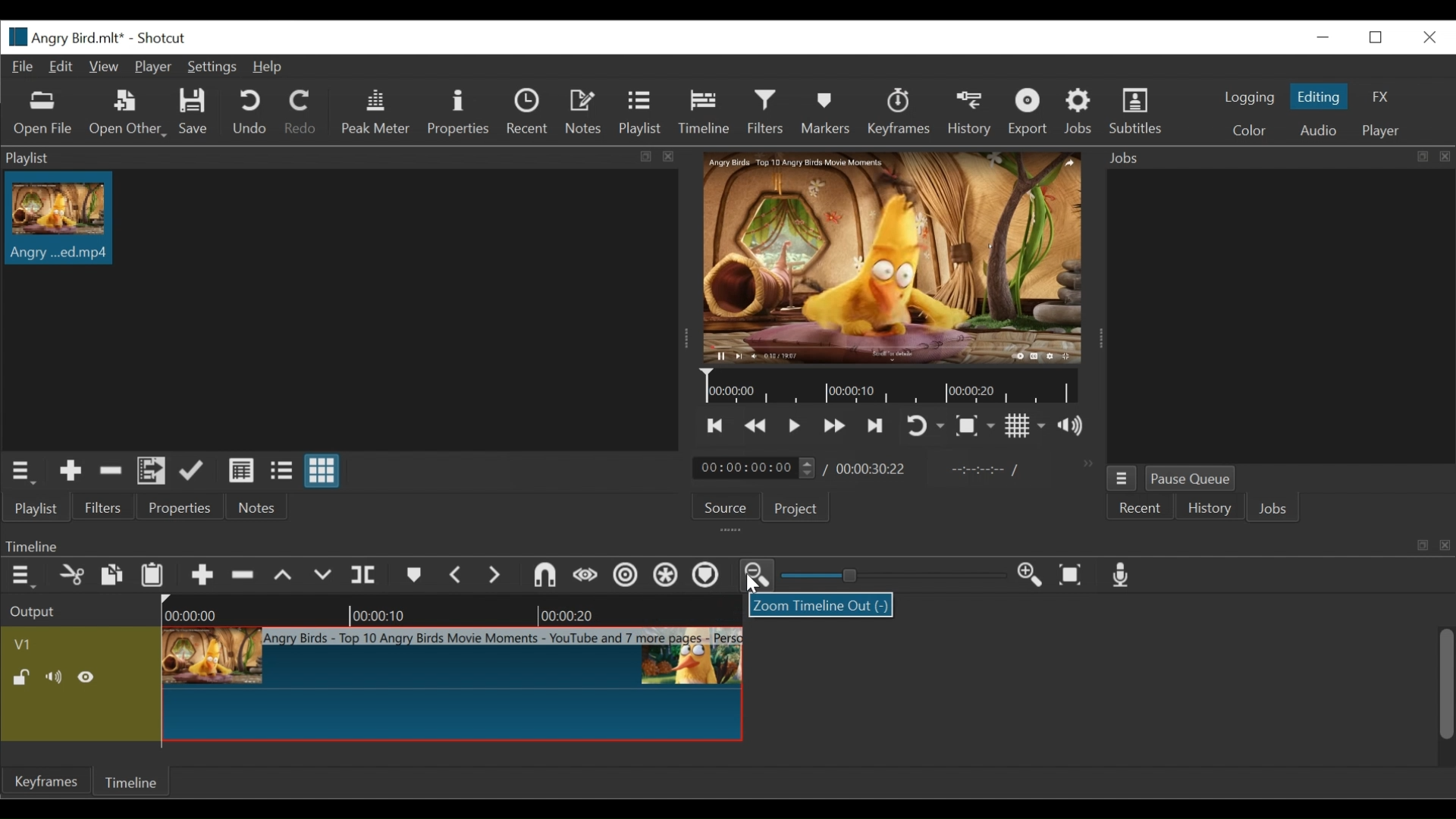 This screenshot has width=1456, height=819. What do you see at coordinates (103, 67) in the screenshot?
I see `View` at bounding box center [103, 67].